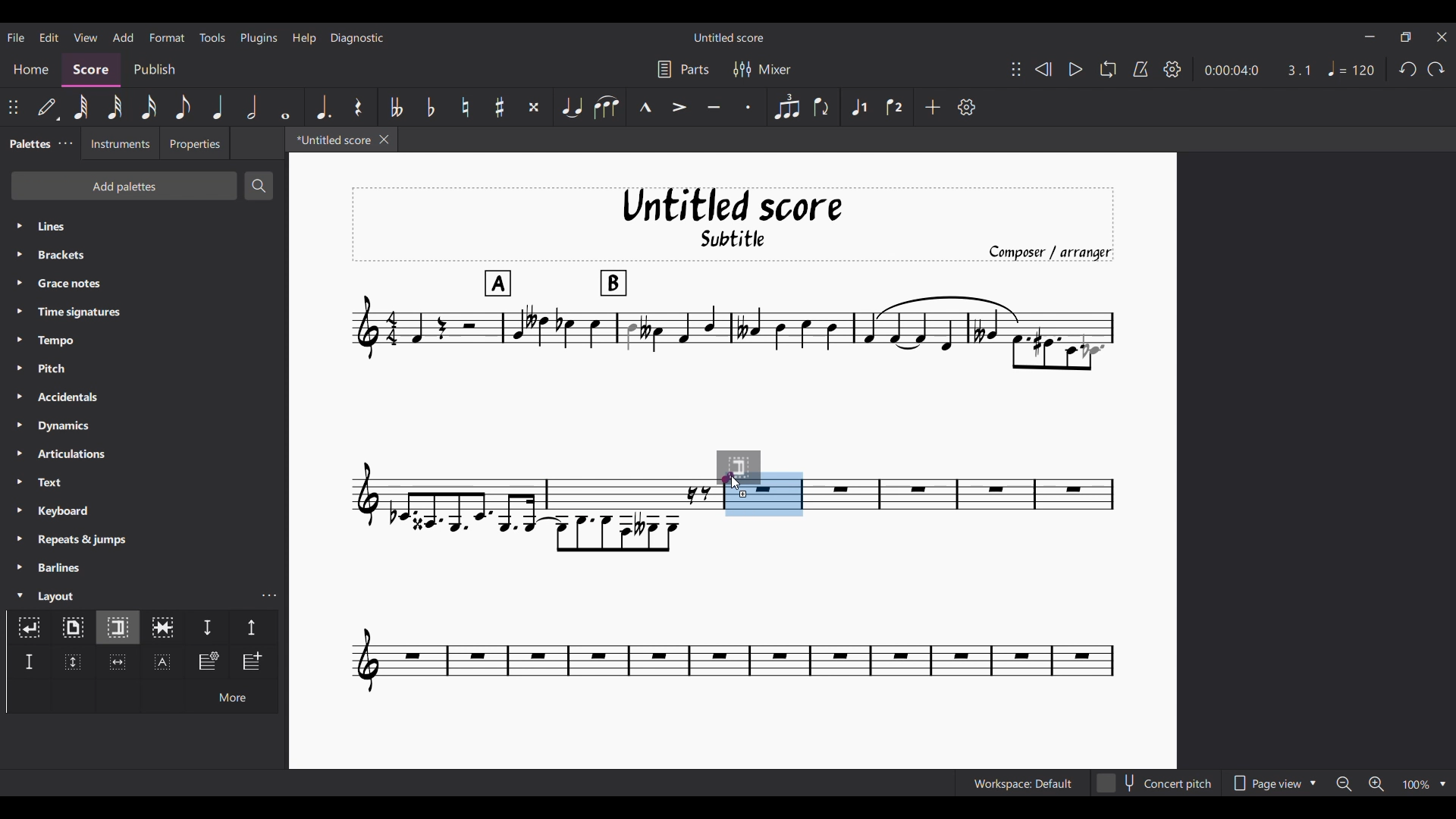 This screenshot has height=819, width=1456. What do you see at coordinates (253, 627) in the screenshot?
I see `Staff spacer up` at bounding box center [253, 627].